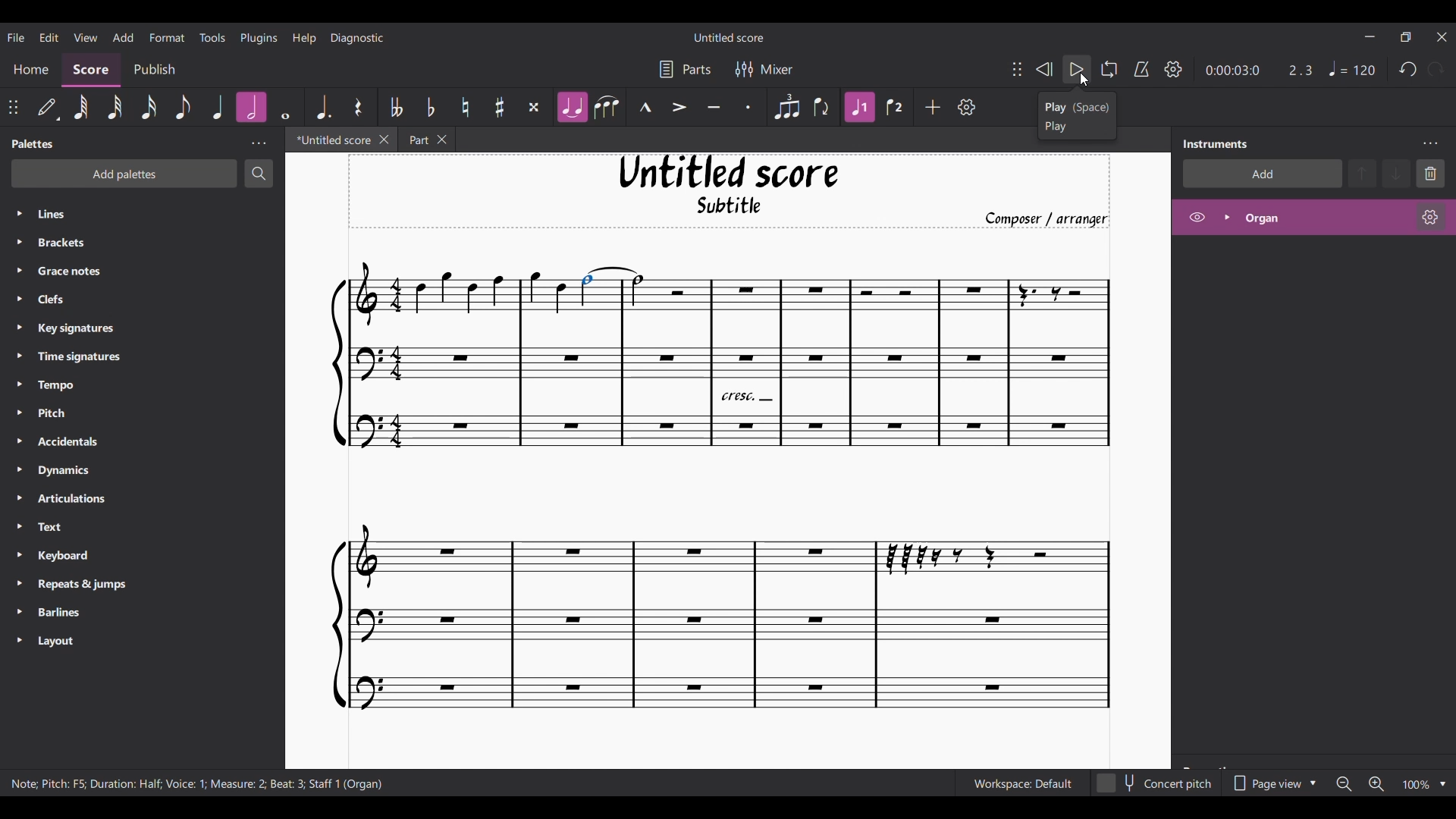  I want to click on Delete, so click(1430, 174).